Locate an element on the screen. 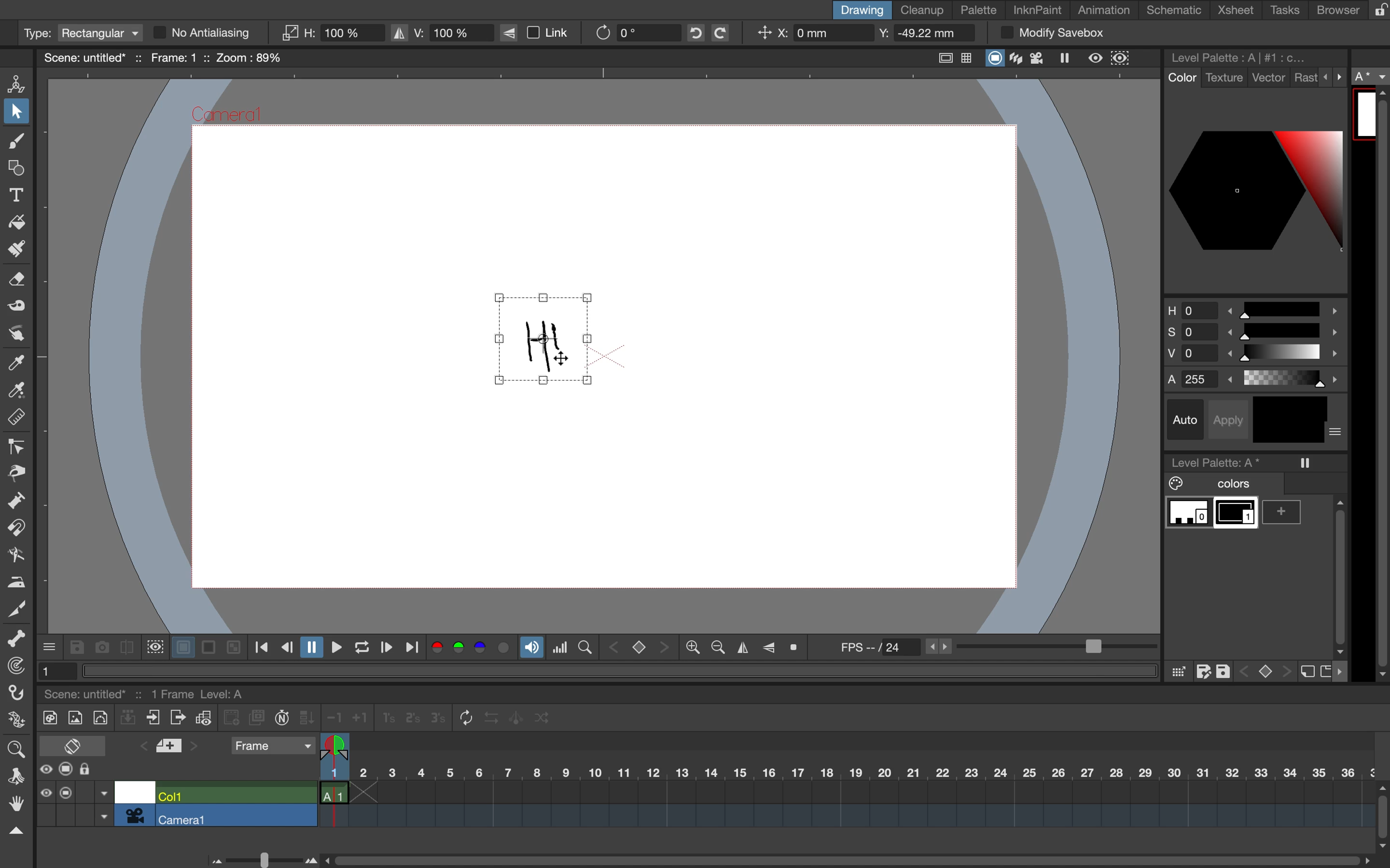 The height and width of the screenshot is (868, 1390). hue is located at coordinates (1253, 308).